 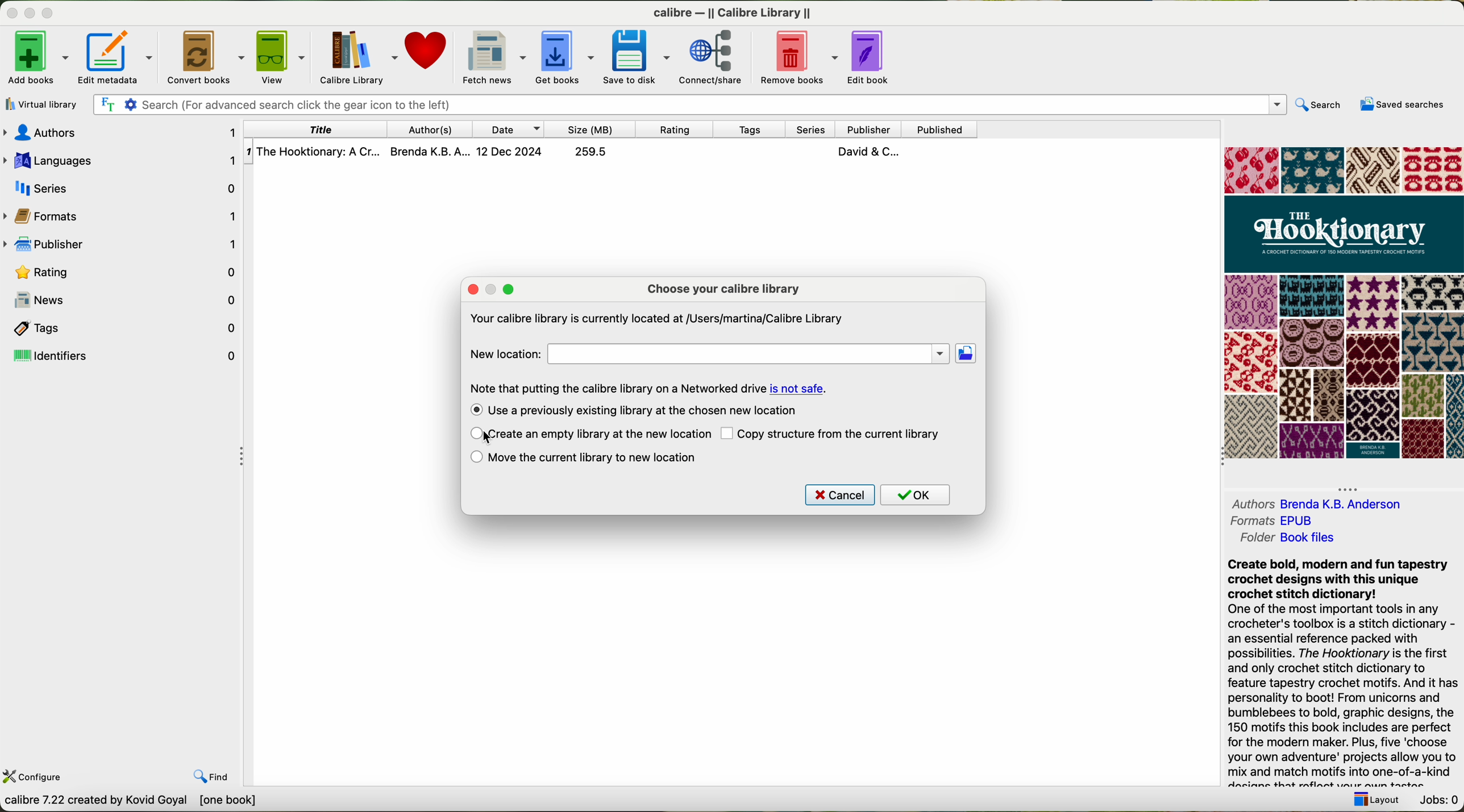 What do you see at coordinates (1349, 487) in the screenshot?
I see `hide` at bounding box center [1349, 487].